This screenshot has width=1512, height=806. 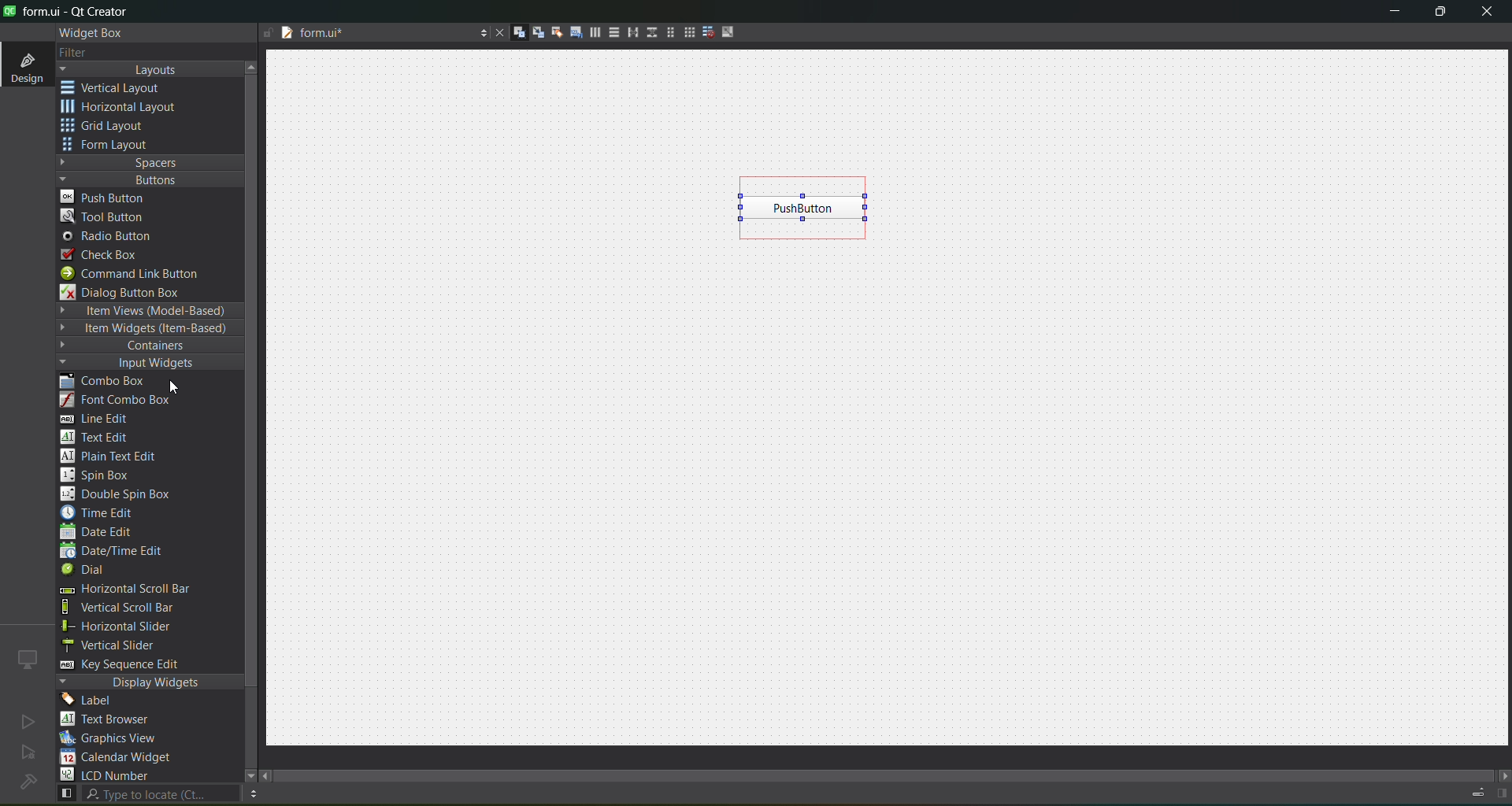 What do you see at coordinates (479, 35) in the screenshot?
I see `options` at bounding box center [479, 35].